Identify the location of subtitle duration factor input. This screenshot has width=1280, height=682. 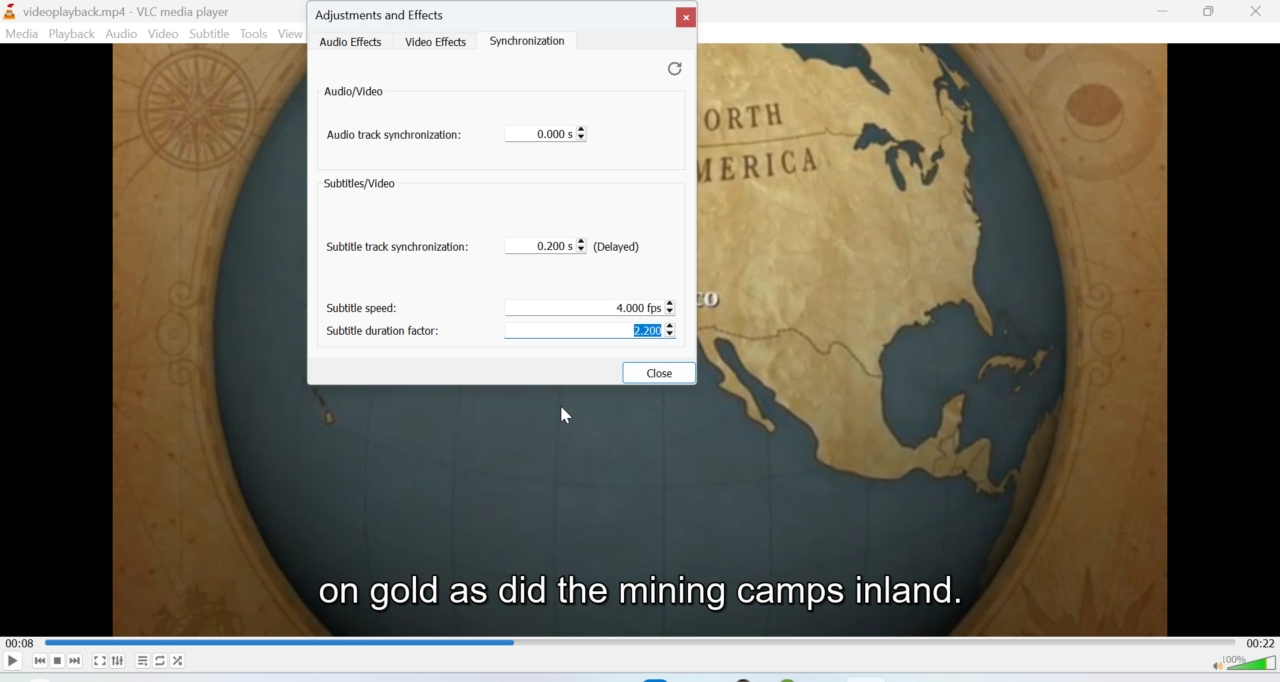
(594, 331).